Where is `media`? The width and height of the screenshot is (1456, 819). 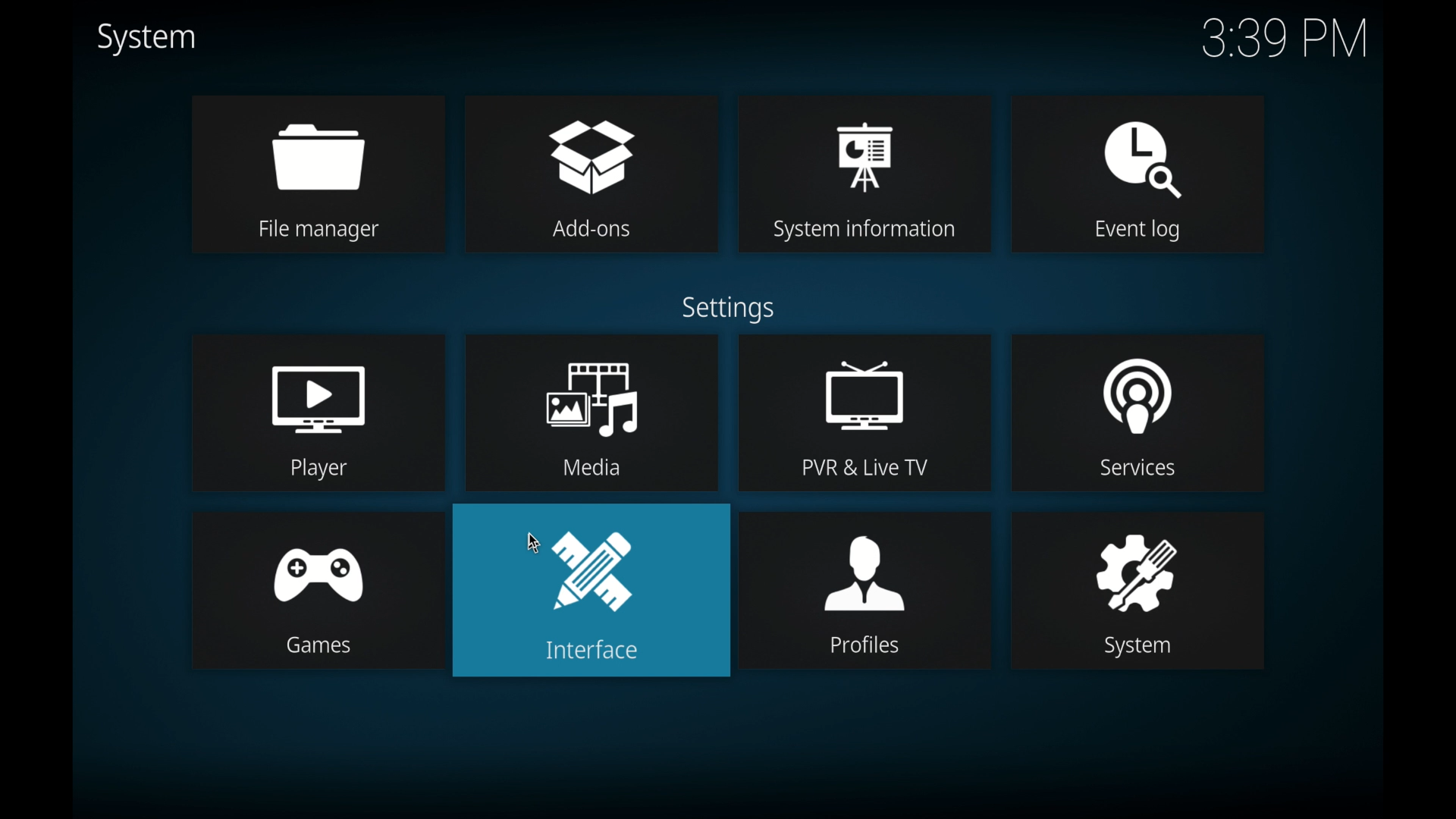
media is located at coordinates (591, 416).